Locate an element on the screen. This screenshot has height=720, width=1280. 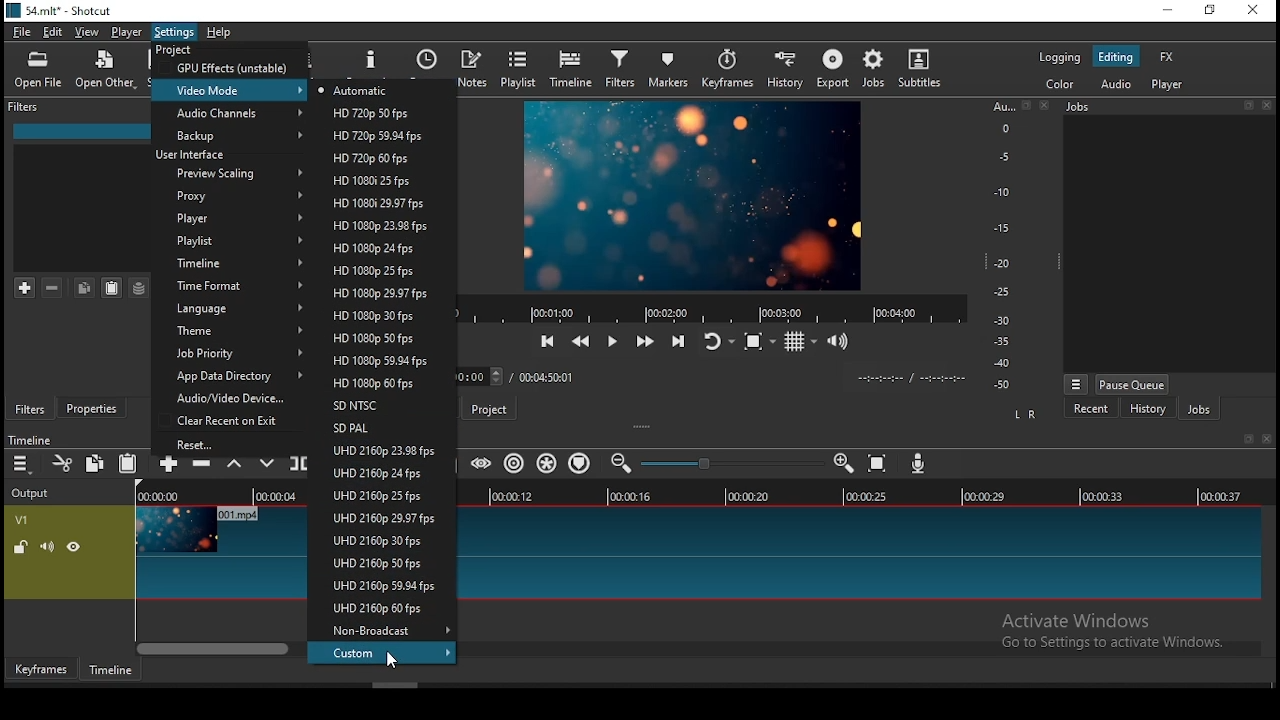
00:00:16 is located at coordinates (631, 496).